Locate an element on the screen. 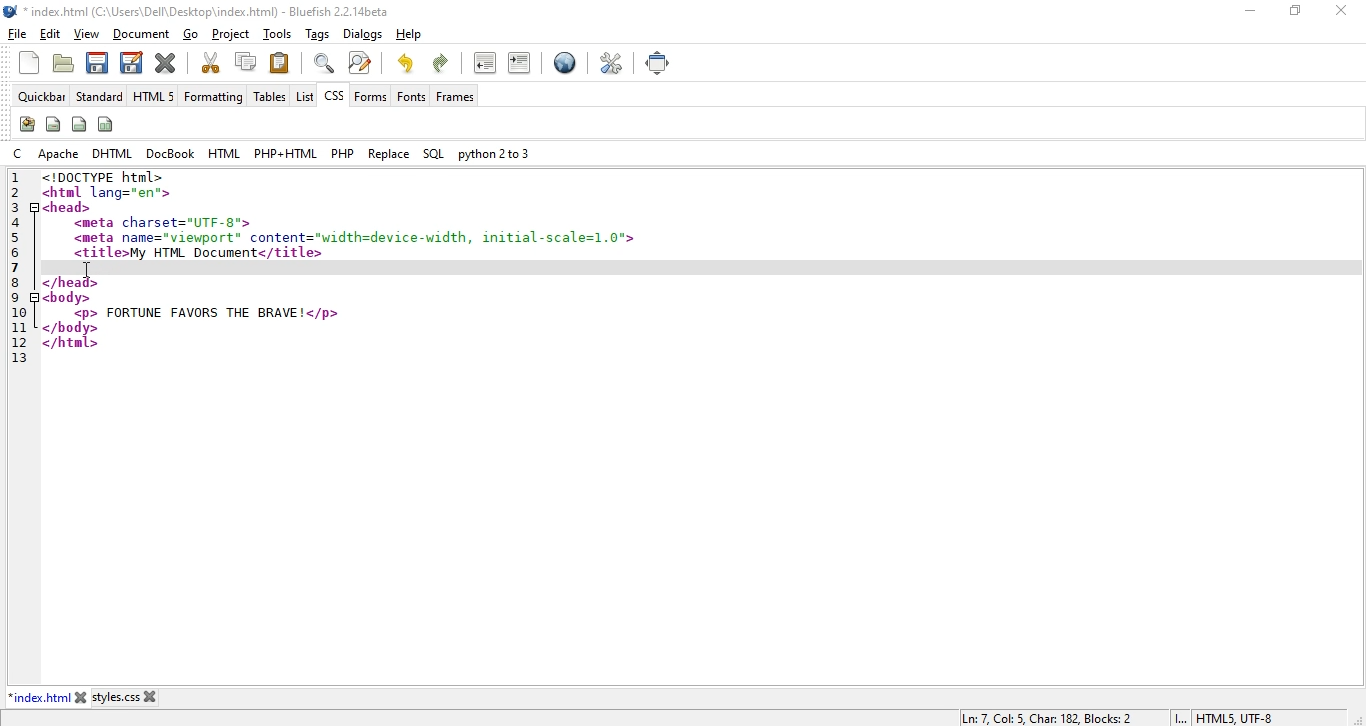 The image size is (1366, 726). quickbar is located at coordinates (44, 97).